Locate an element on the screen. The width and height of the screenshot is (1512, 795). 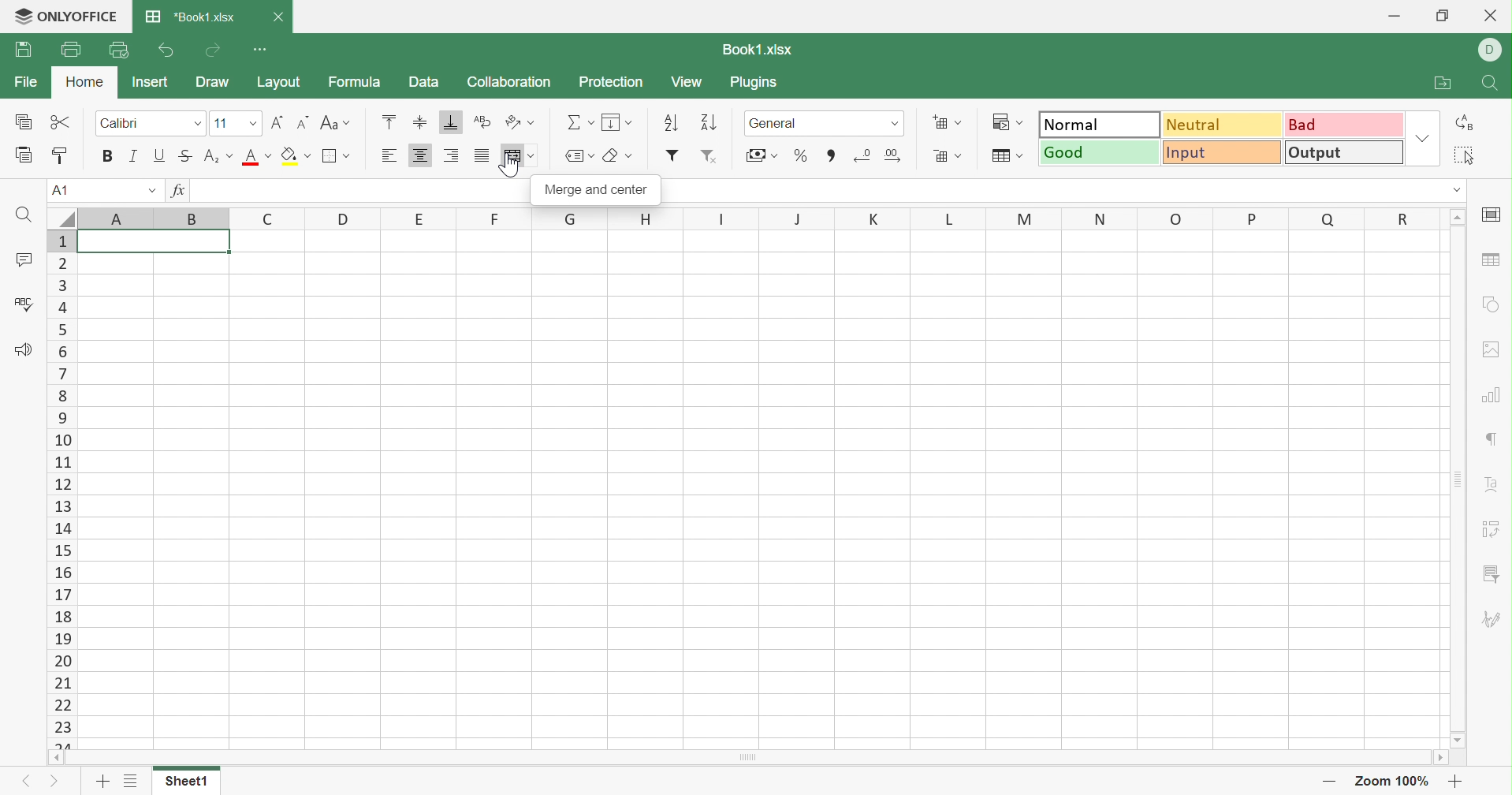
Superscript / Subscript is located at coordinates (217, 157).